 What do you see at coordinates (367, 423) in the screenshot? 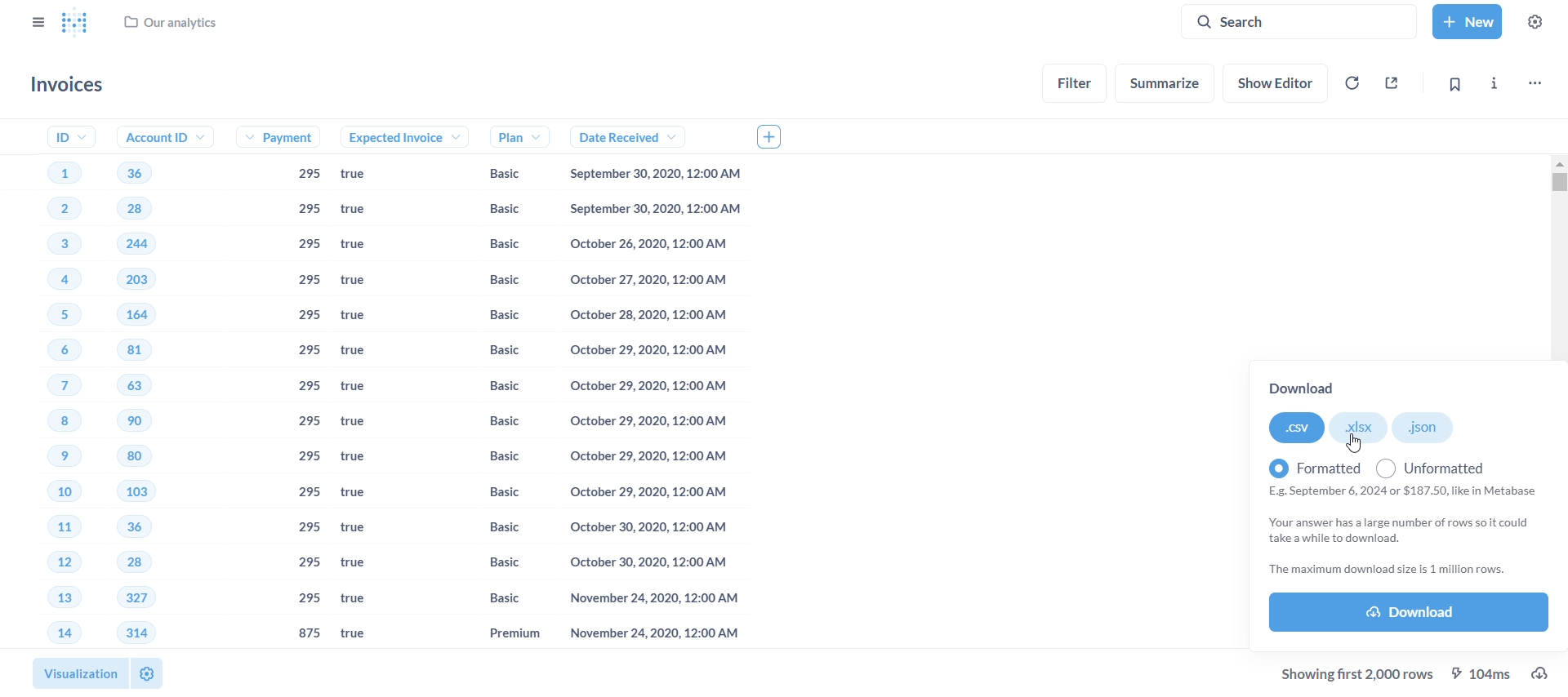
I see `true` at bounding box center [367, 423].